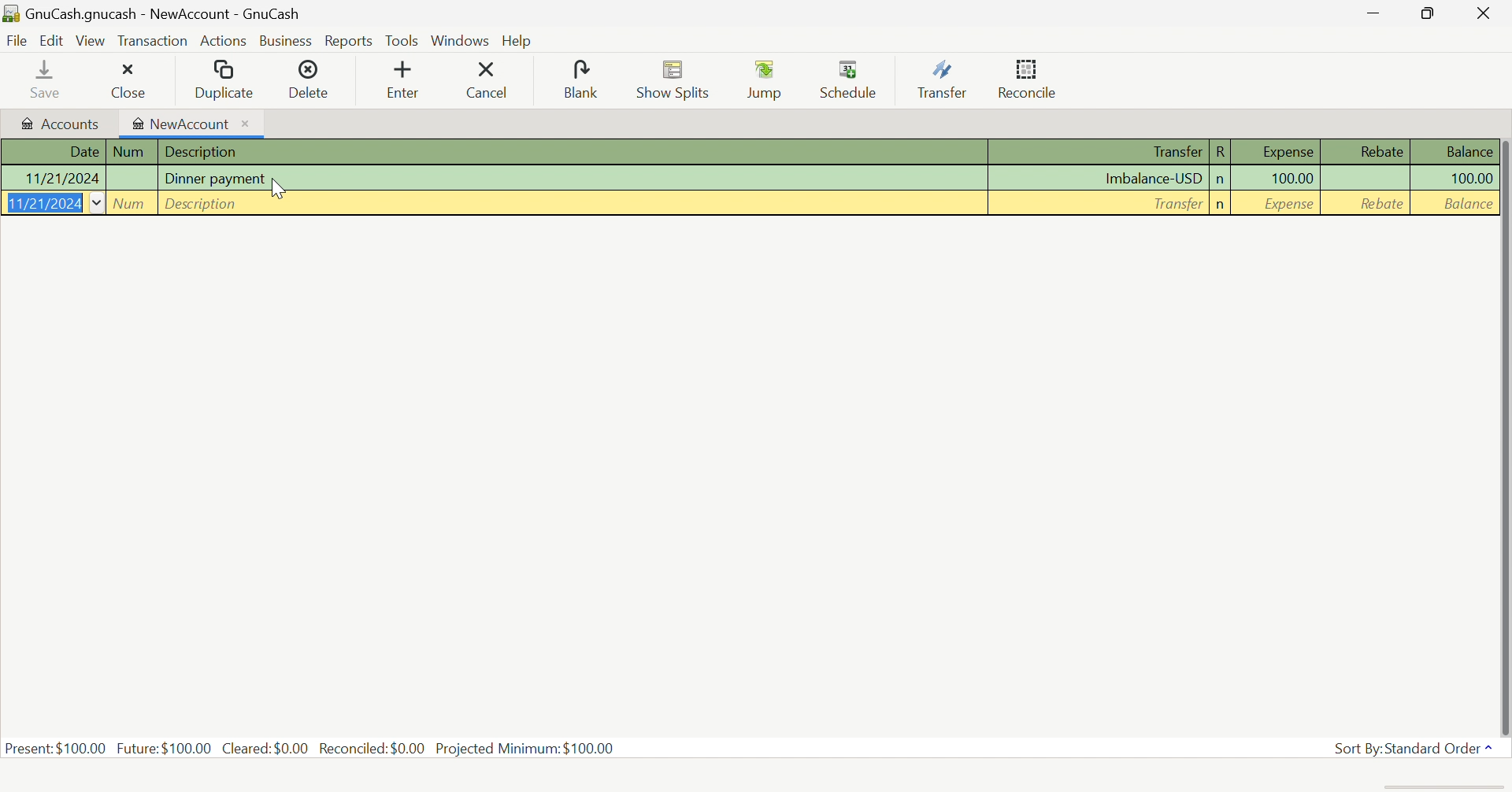  What do you see at coordinates (853, 77) in the screenshot?
I see `Schedule` at bounding box center [853, 77].